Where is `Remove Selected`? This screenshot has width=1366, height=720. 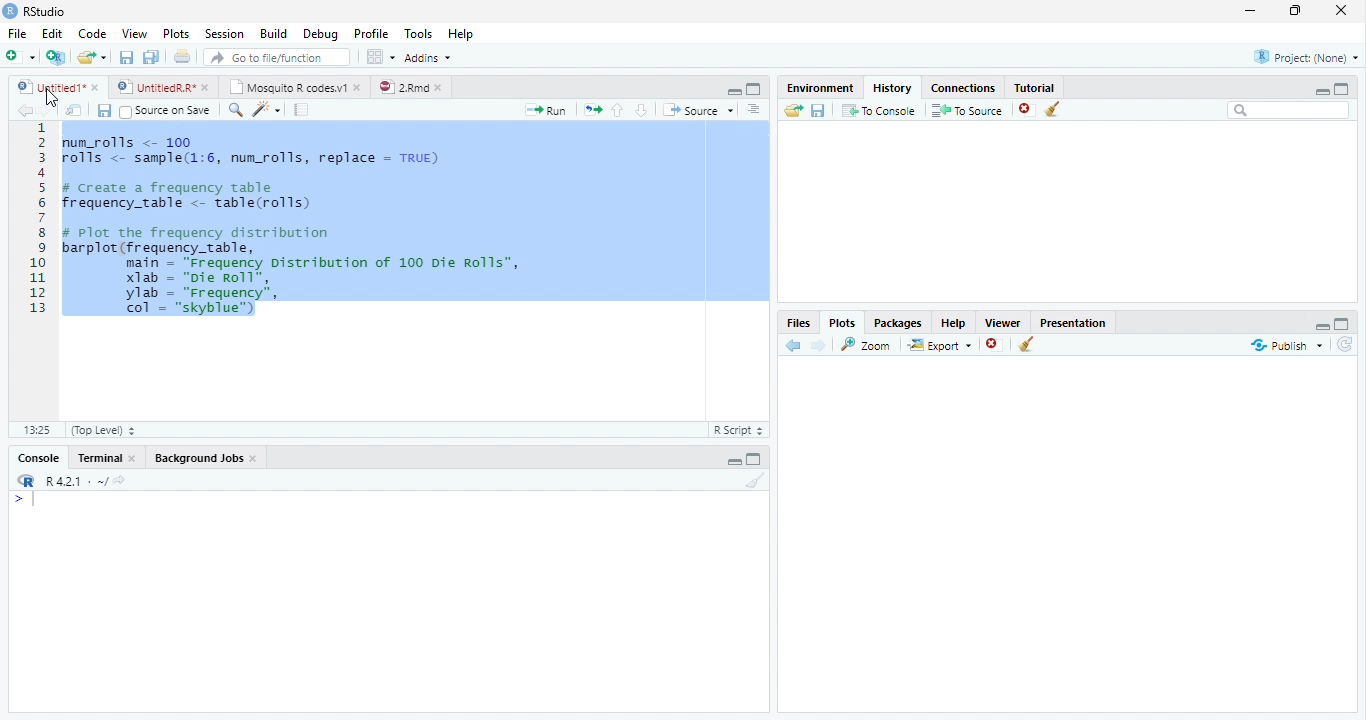 Remove Selected is located at coordinates (995, 346).